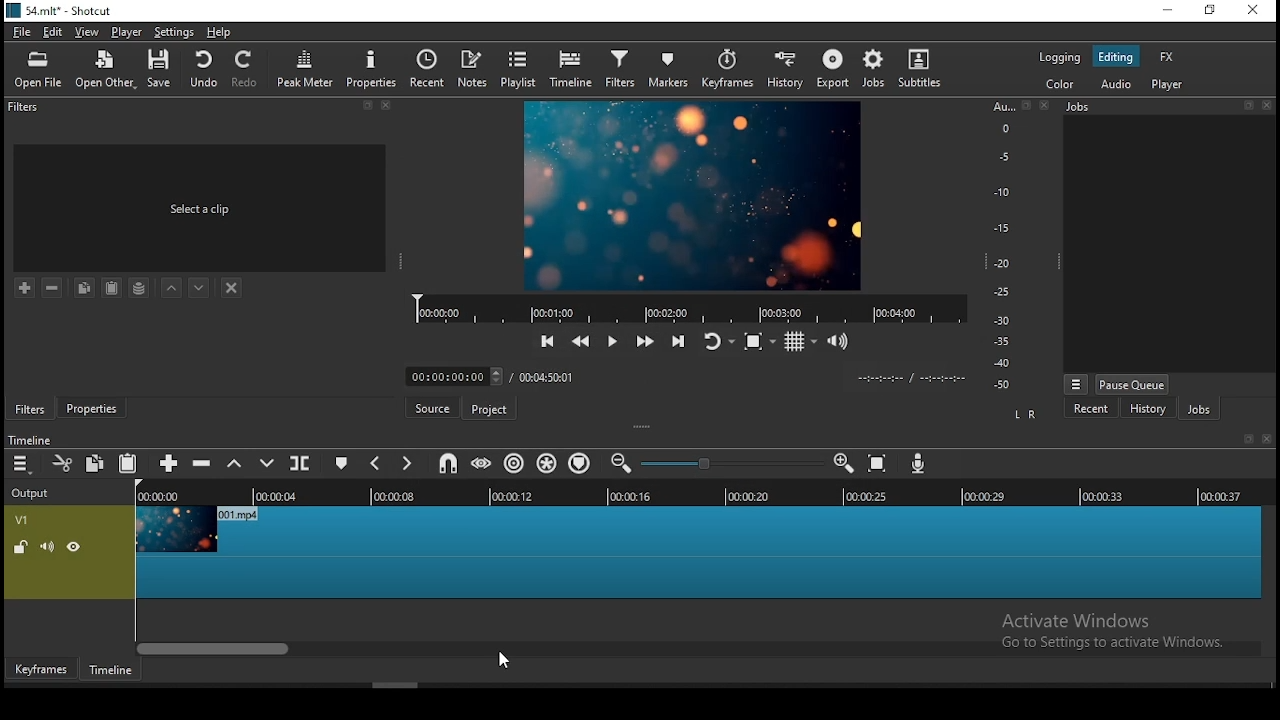 The width and height of the screenshot is (1280, 720). What do you see at coordinates (24, 464) in the screenshot?
I see `timeline menu` at bounding box center [24, 464].